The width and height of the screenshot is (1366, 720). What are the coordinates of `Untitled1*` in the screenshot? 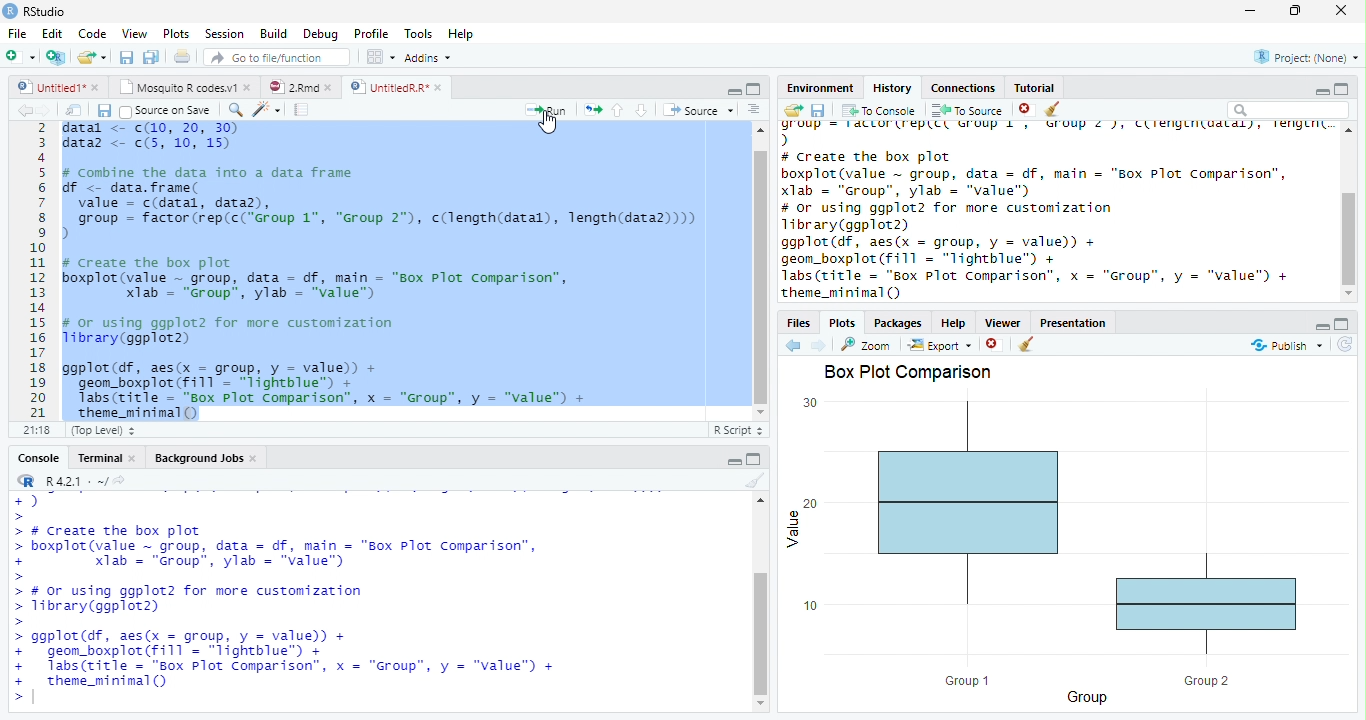 It's located at (49, 87).